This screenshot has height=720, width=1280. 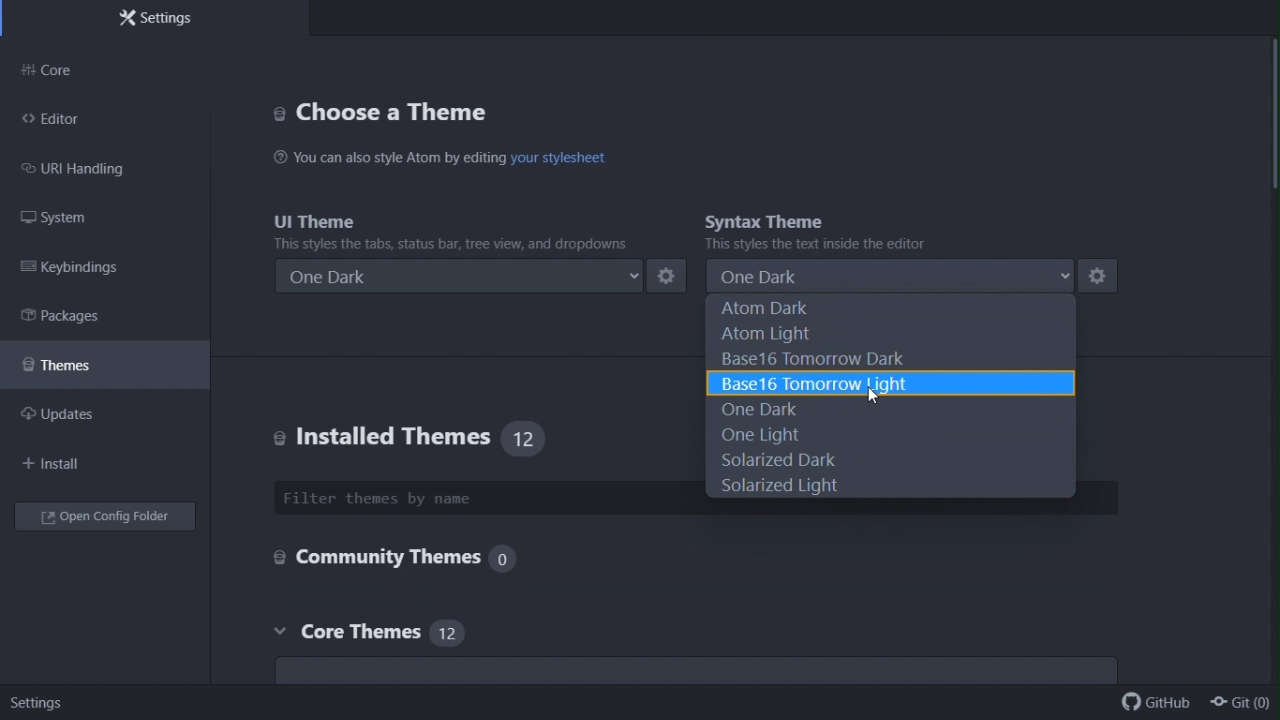 What do you see at coordinates (894, 309) in the screenshot?
I see `Atom dark` at bounding box center [894, 309].